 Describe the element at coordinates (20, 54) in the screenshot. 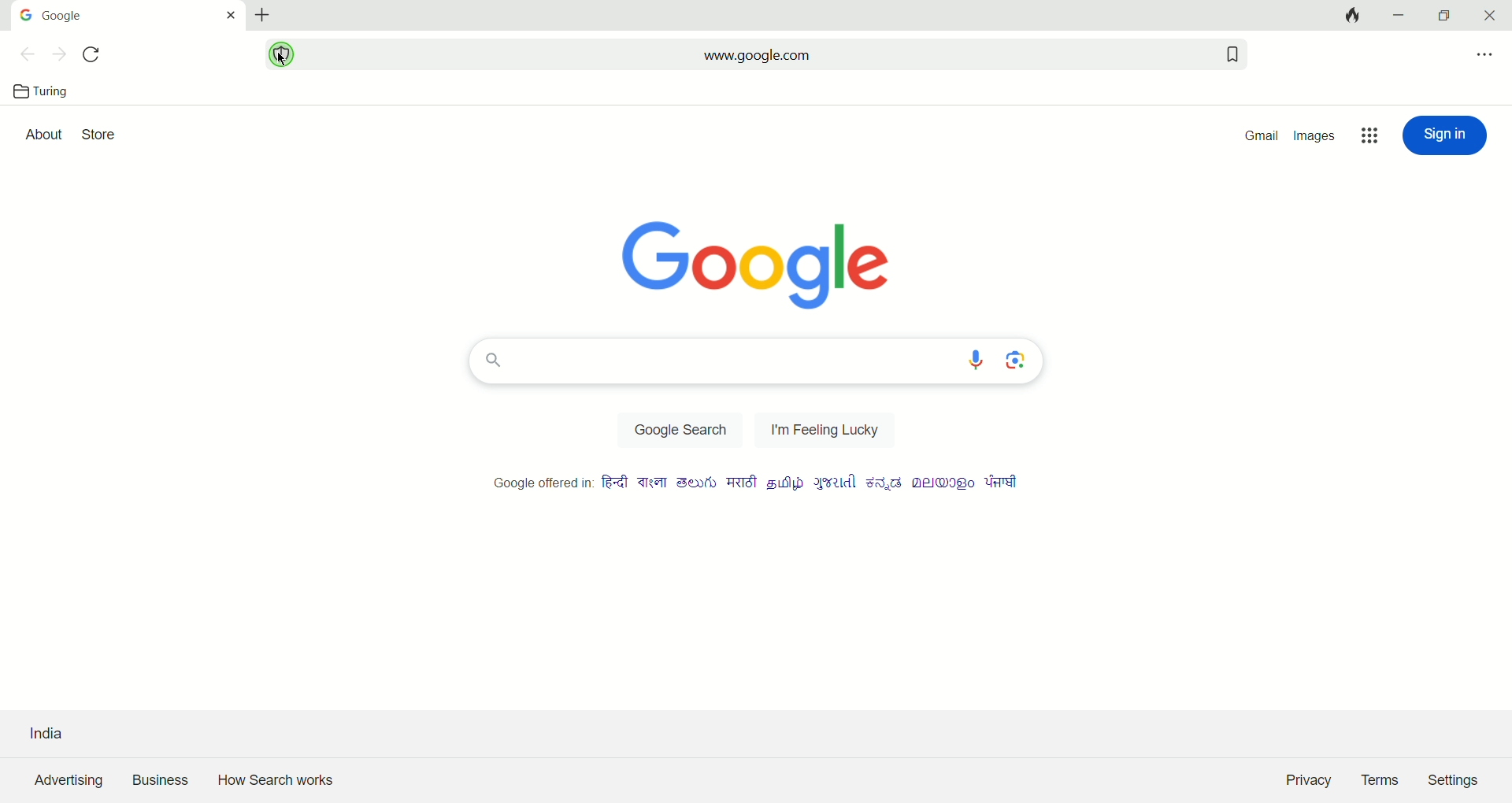

I see `previous` at that location.